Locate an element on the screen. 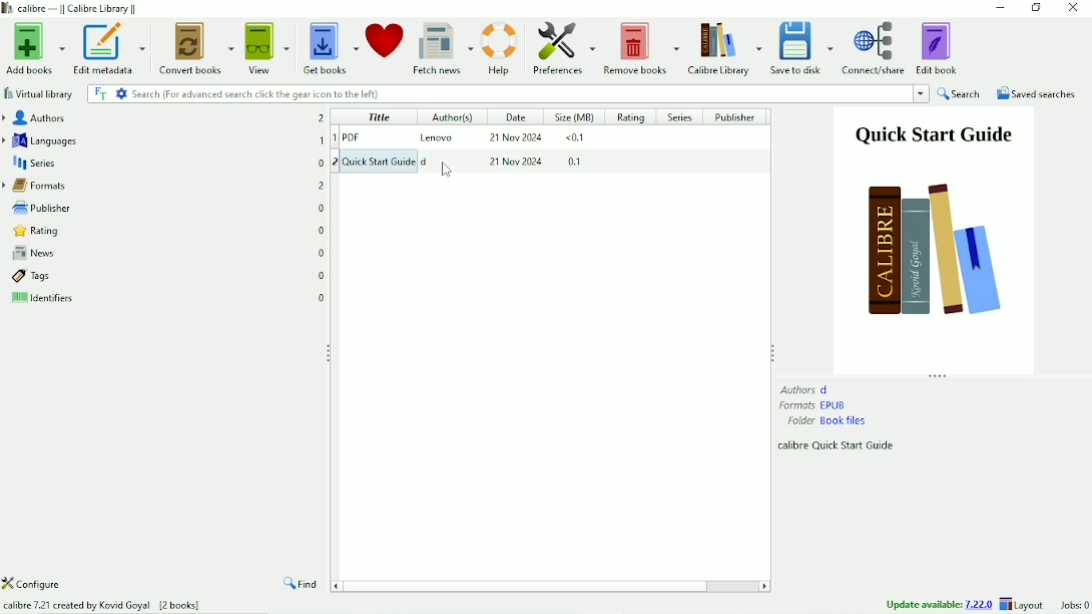 The image size is (1092, 614). Authors is located at coordinates (162, 118).